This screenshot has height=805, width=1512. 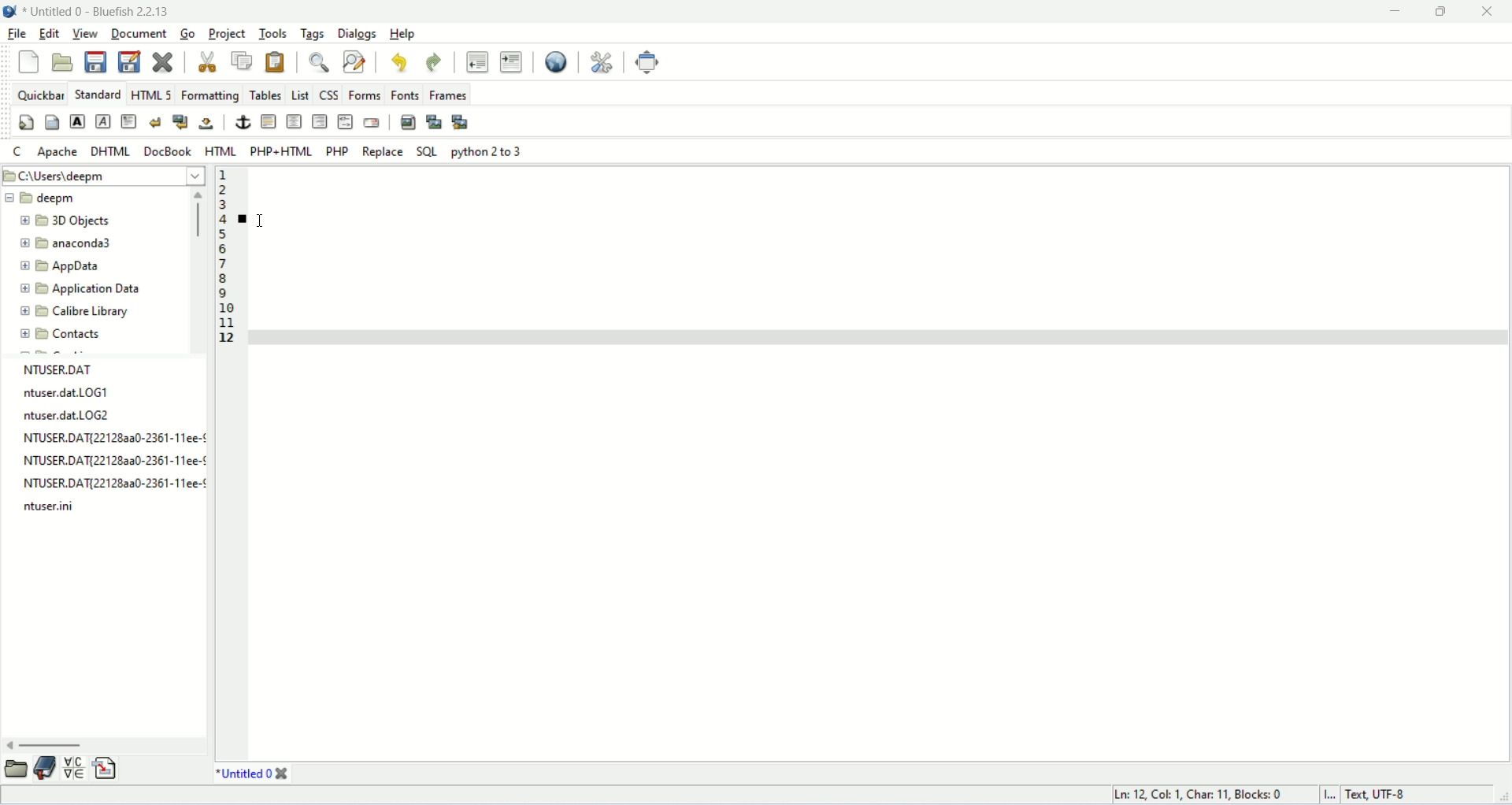 What do you see at coordinates (447, 94) in the screenshot?
I see `frames` at bounding box center [447, 94].